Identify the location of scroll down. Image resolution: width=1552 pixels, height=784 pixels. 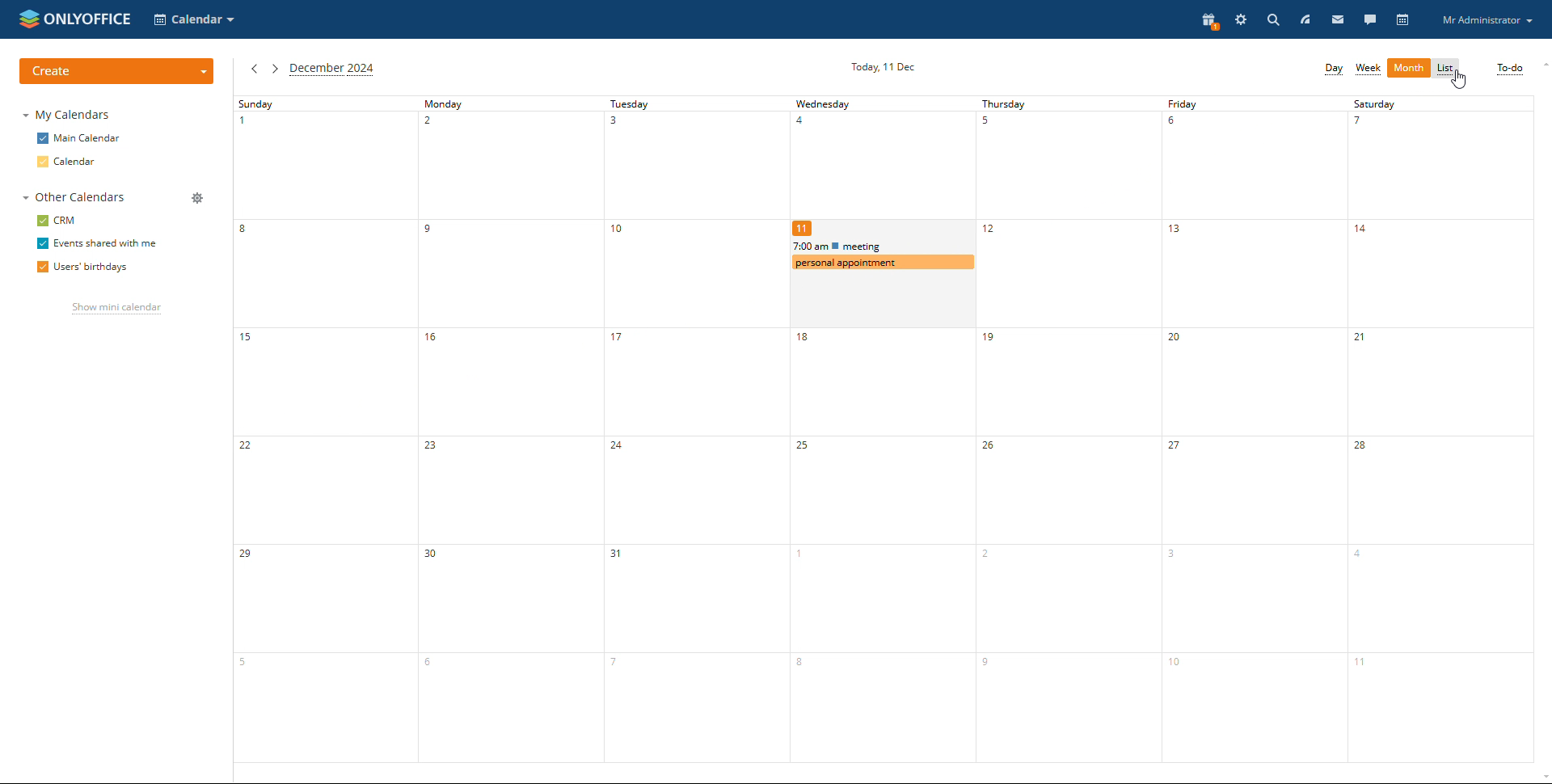
(1542, 778).